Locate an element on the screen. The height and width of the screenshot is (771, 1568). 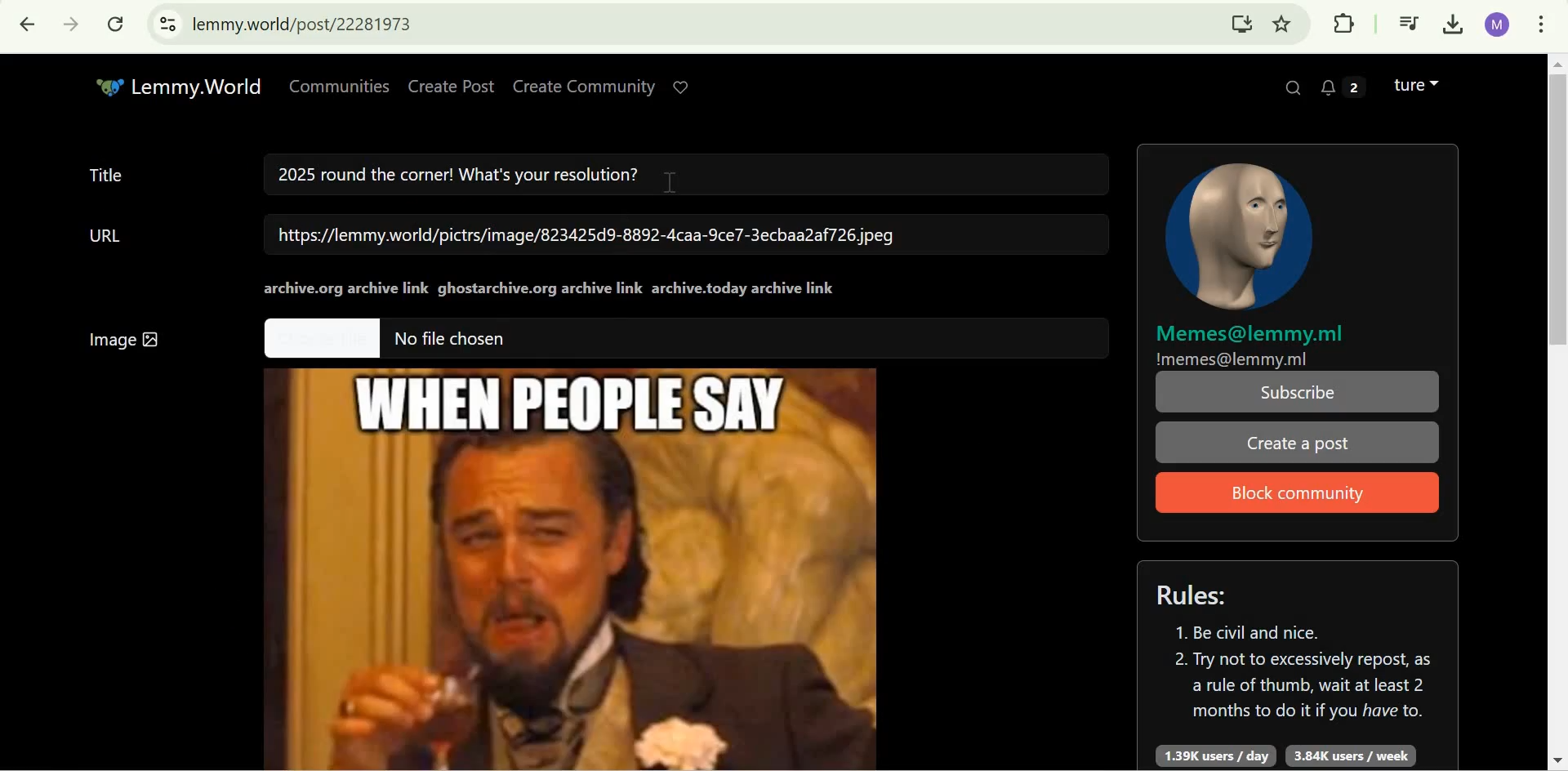
https://lemmy.world/pictrs/image/823425d9-8892-4caa-9ce7-3ecbaa2af726.jpeg is located at coordinates (587, 234).